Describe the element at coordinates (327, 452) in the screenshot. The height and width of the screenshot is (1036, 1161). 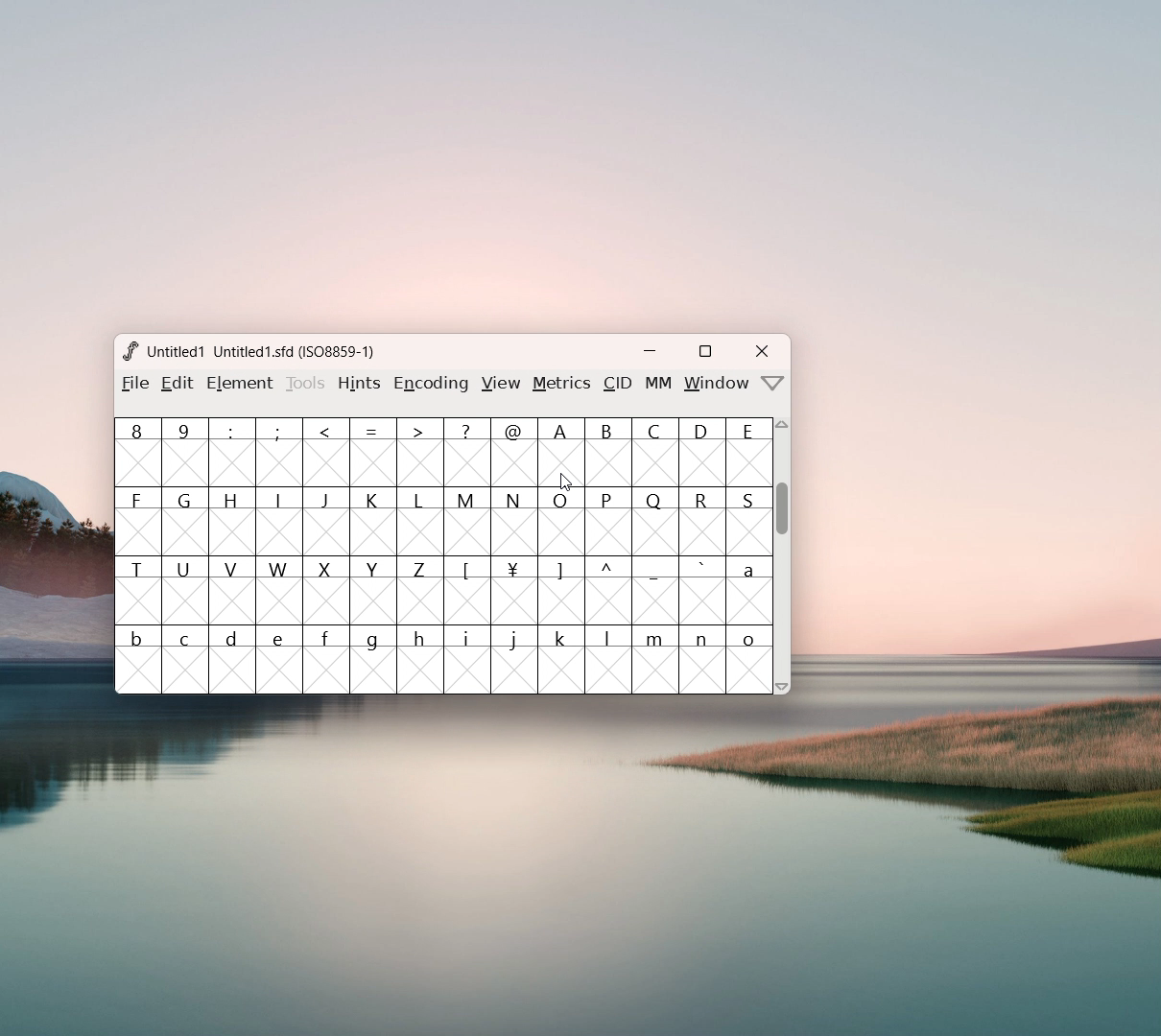
I see `<` at that location.